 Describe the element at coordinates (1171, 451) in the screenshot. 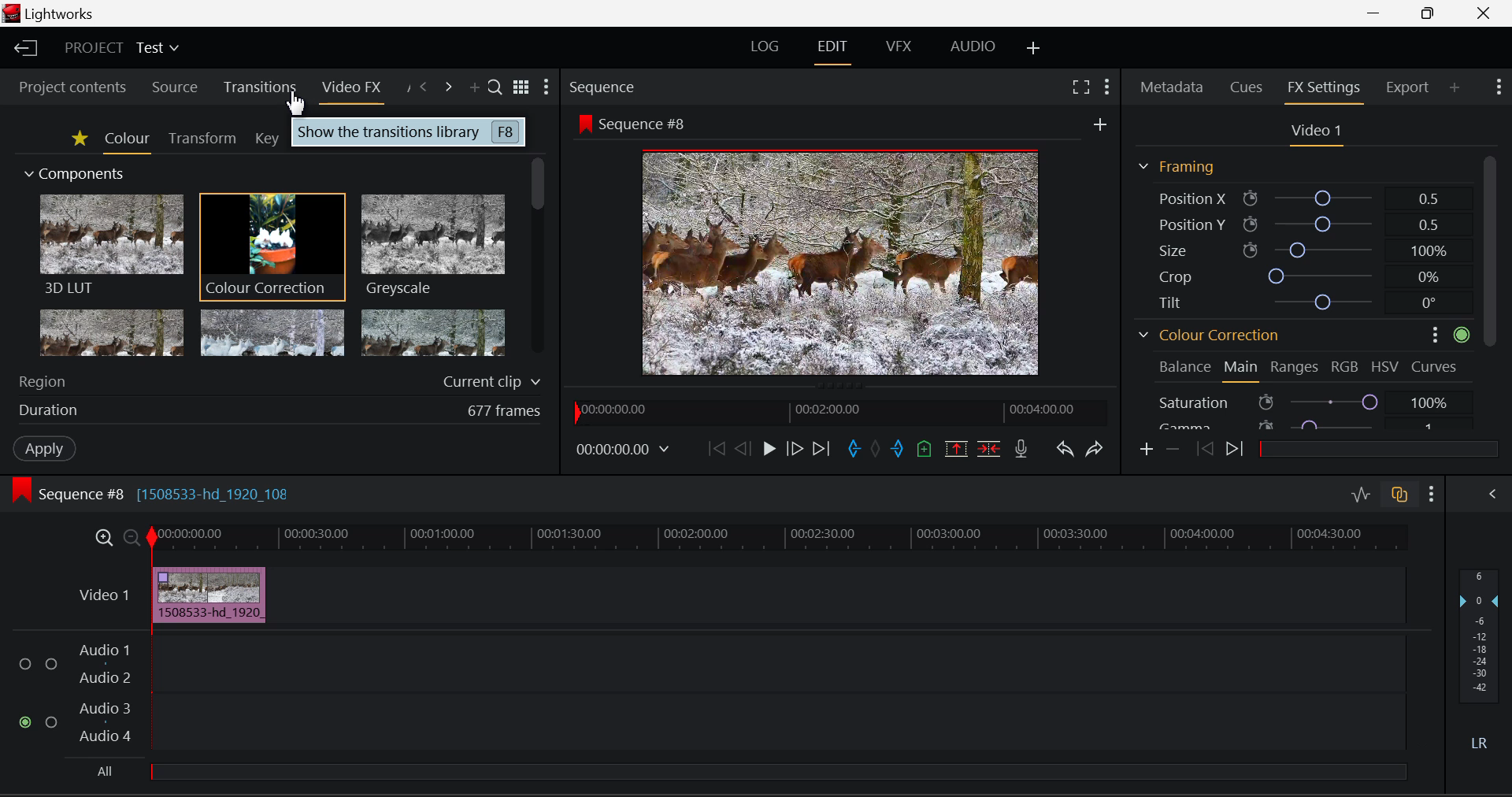

I see `Remove keyframe` at that location.